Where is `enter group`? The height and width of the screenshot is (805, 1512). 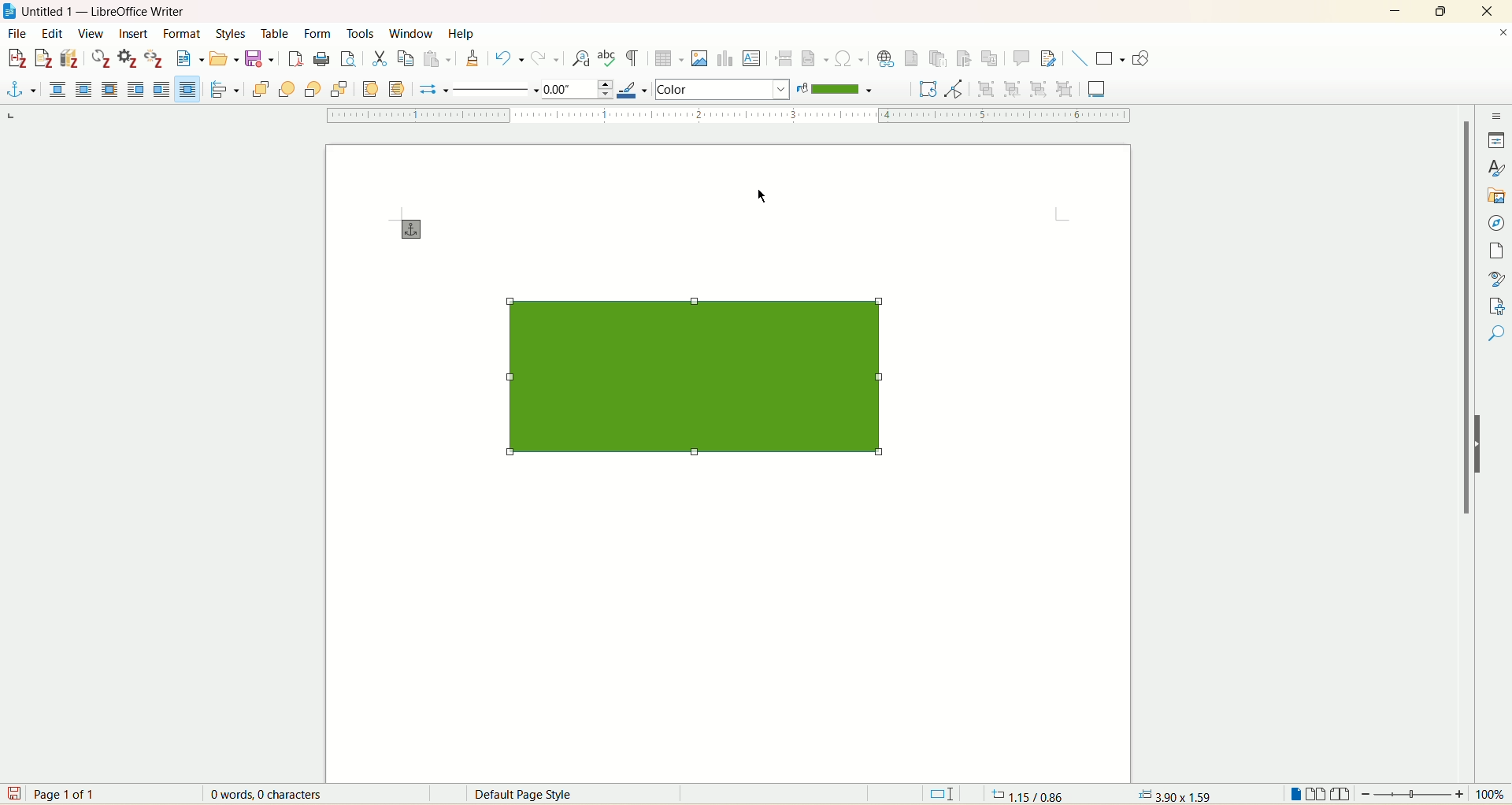
enter group is located at coordinates (1013, 88).